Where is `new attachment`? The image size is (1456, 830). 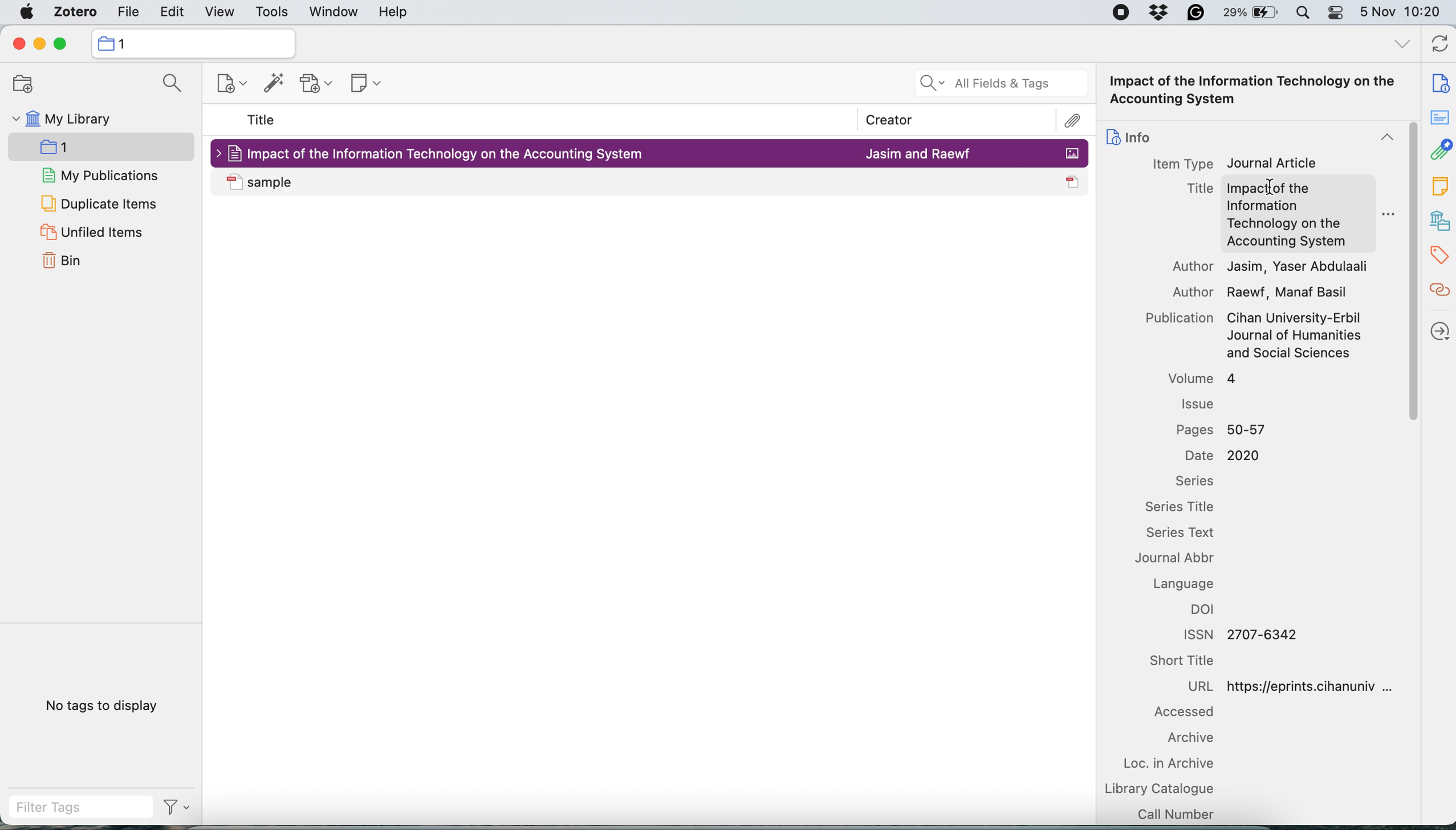 new attachment is located at coordinates (316, 85).